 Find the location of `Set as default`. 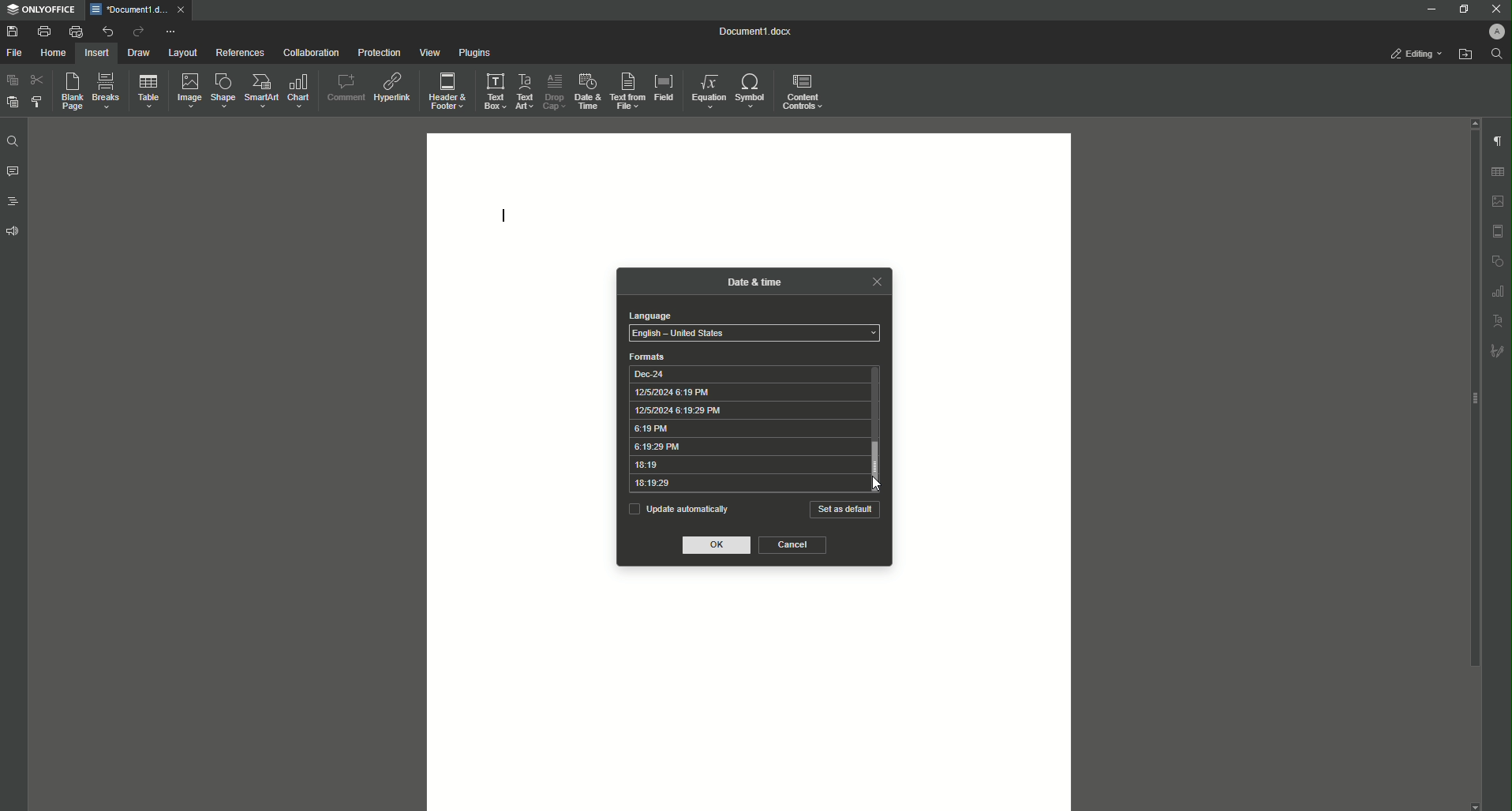

Set as default is located at coordinates (845, 510).